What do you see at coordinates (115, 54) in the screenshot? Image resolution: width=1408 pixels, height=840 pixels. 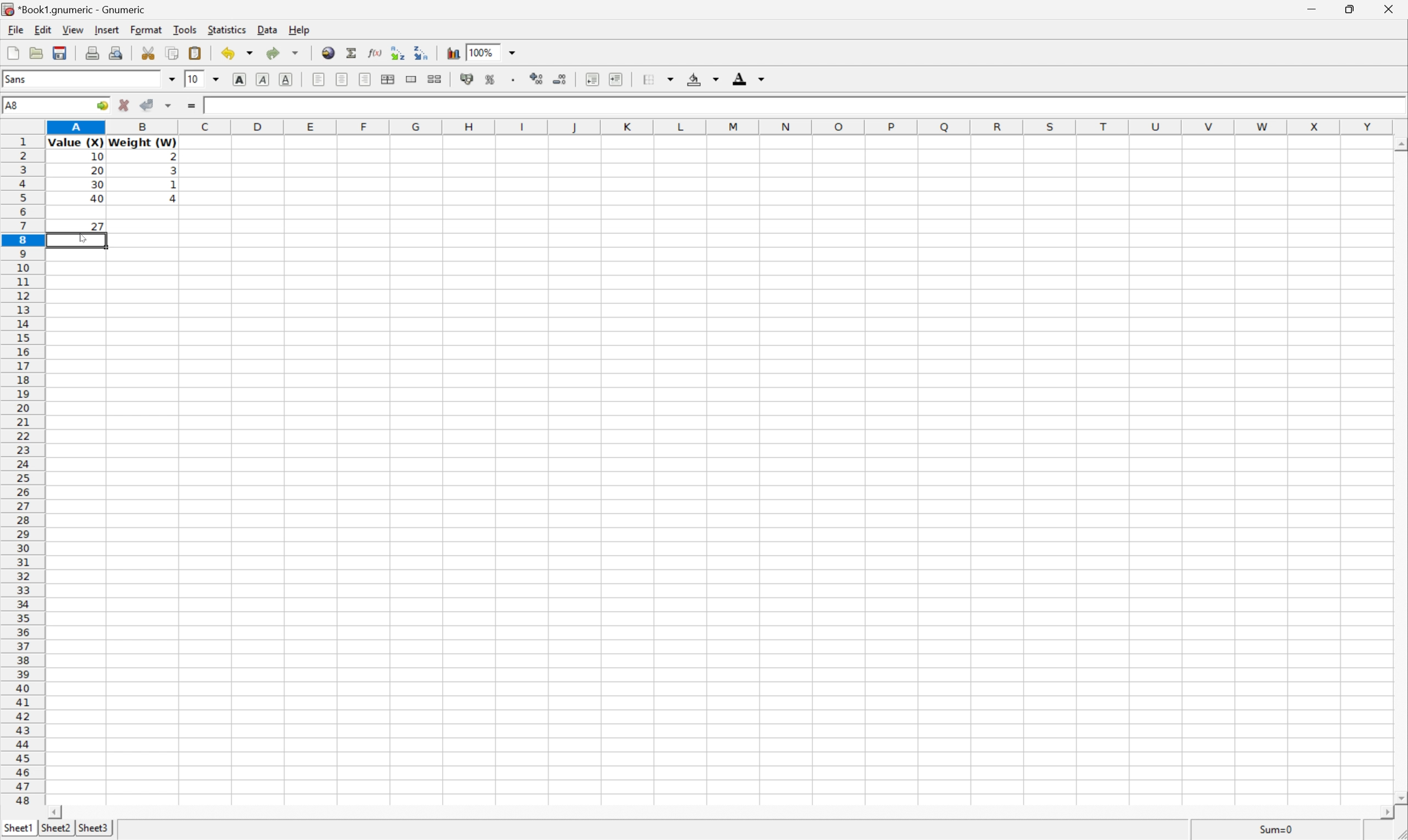 I see `Print preview` at bounding box center [115, 54].